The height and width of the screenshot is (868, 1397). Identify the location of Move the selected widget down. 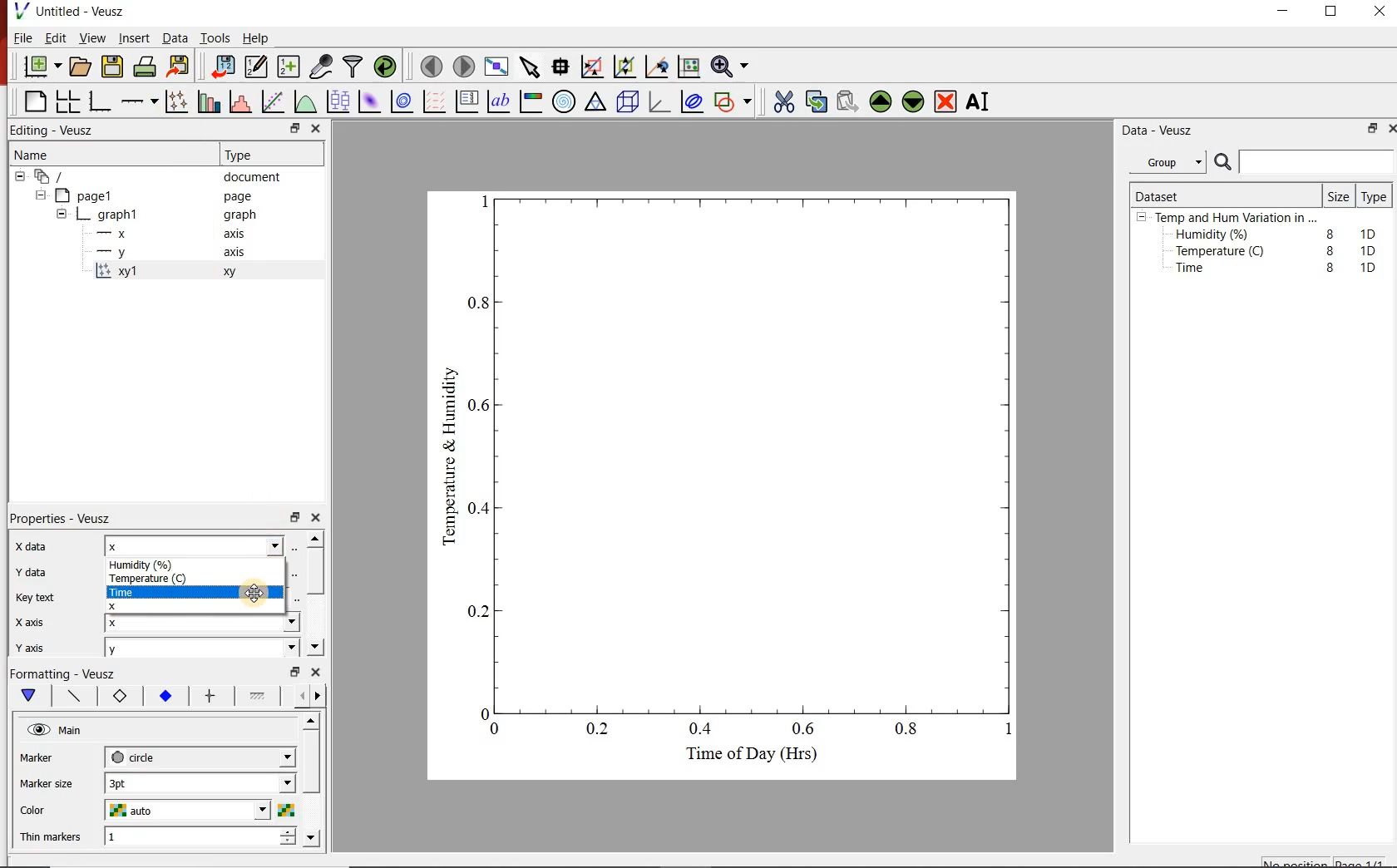
(916, 101).